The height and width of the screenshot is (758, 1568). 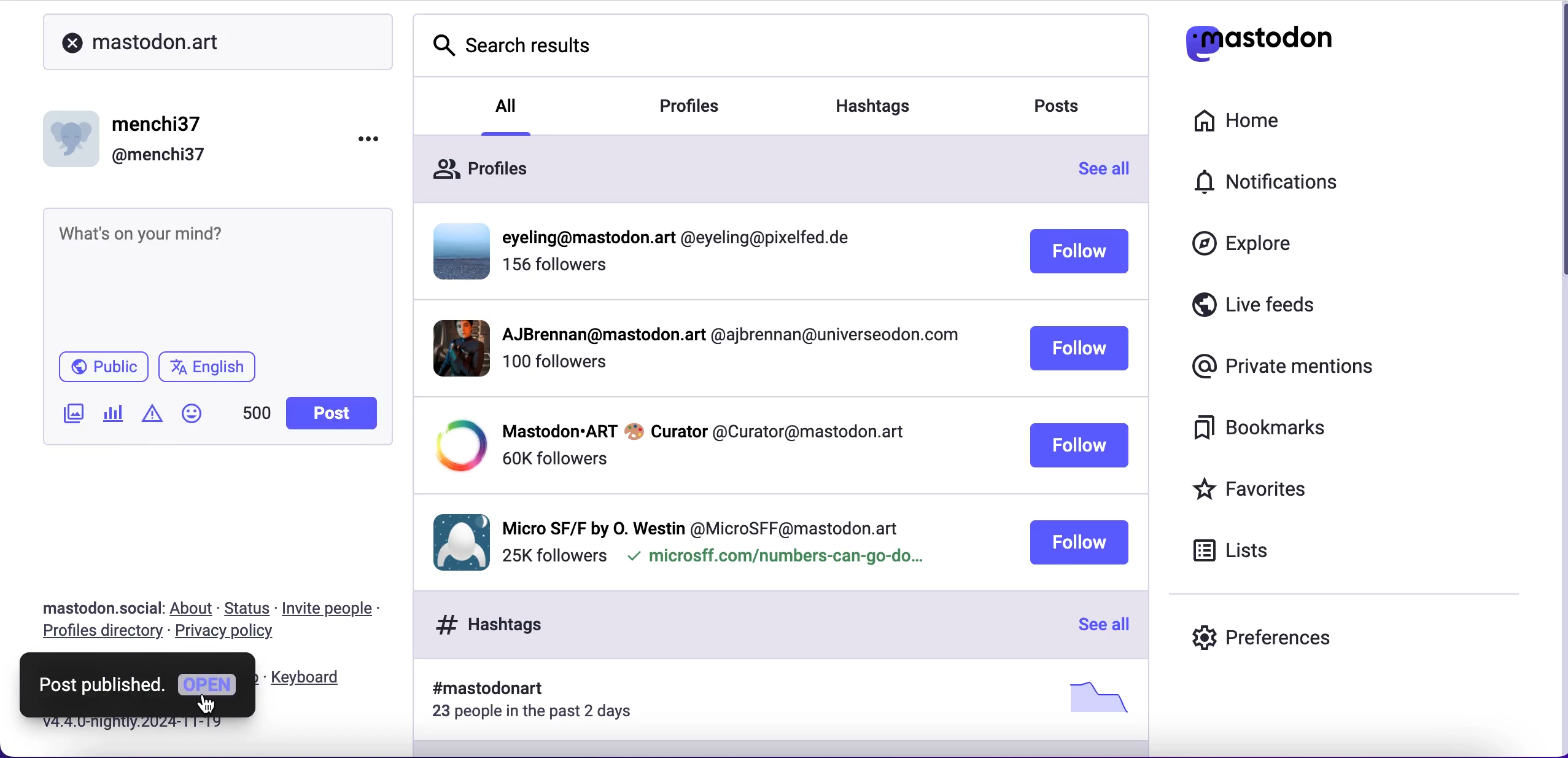 I want to click on display picture, so click(x=74, y=135).